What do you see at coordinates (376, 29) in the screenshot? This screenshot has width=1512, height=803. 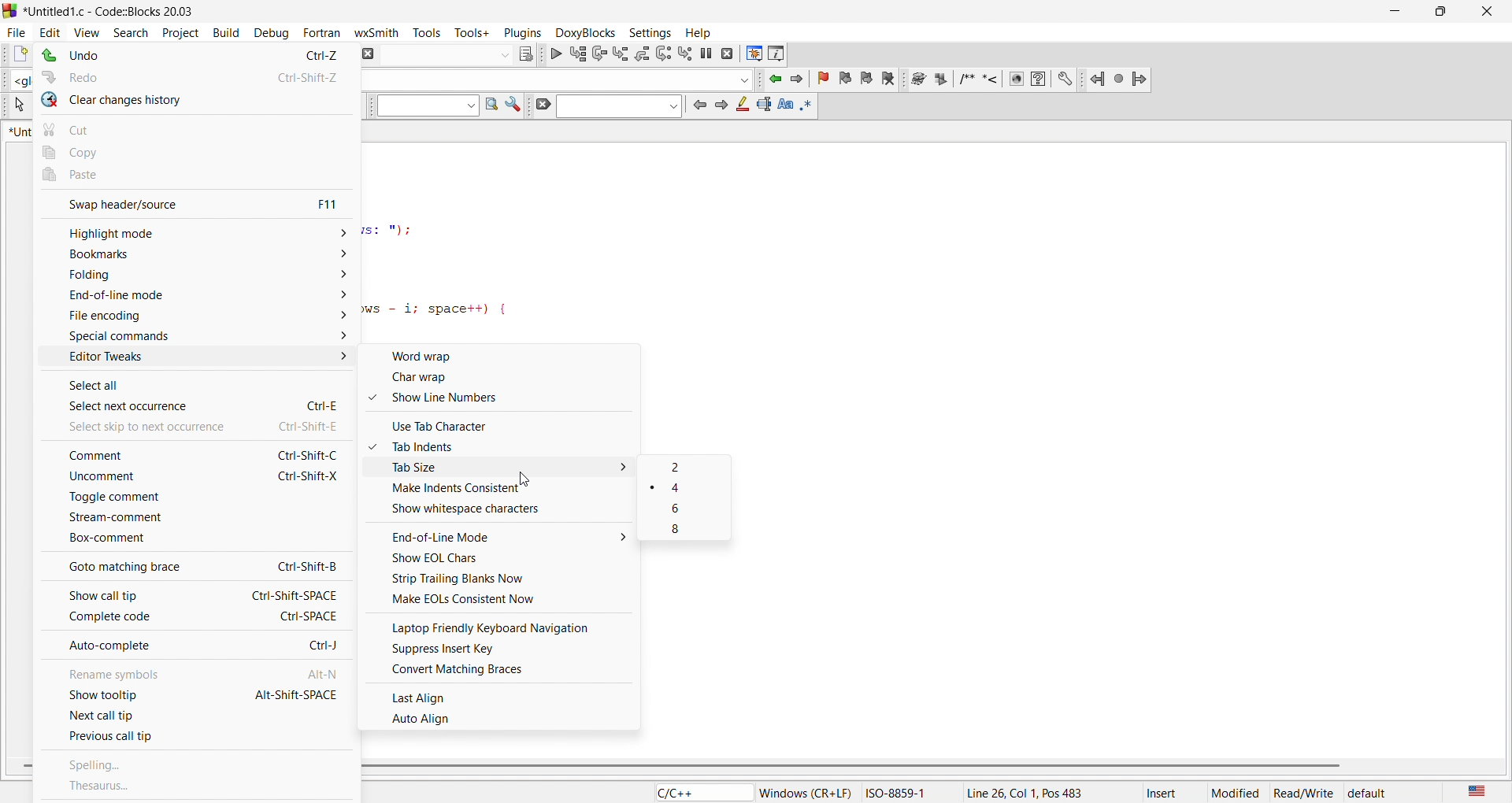 I see `wxsmith` at bounding box center [376, 29].